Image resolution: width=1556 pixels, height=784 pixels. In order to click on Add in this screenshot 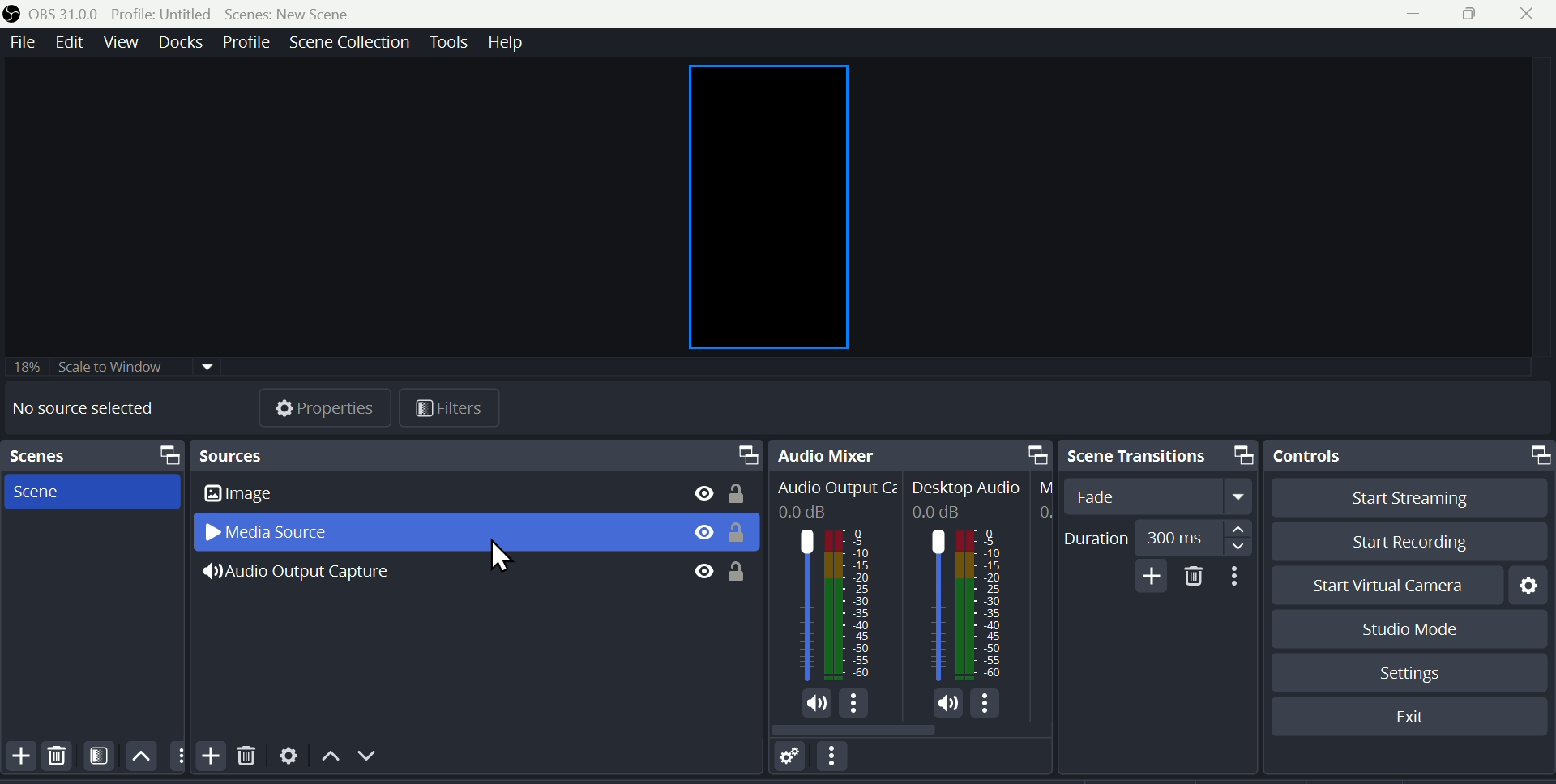, I will do `click(1151, 576)`.